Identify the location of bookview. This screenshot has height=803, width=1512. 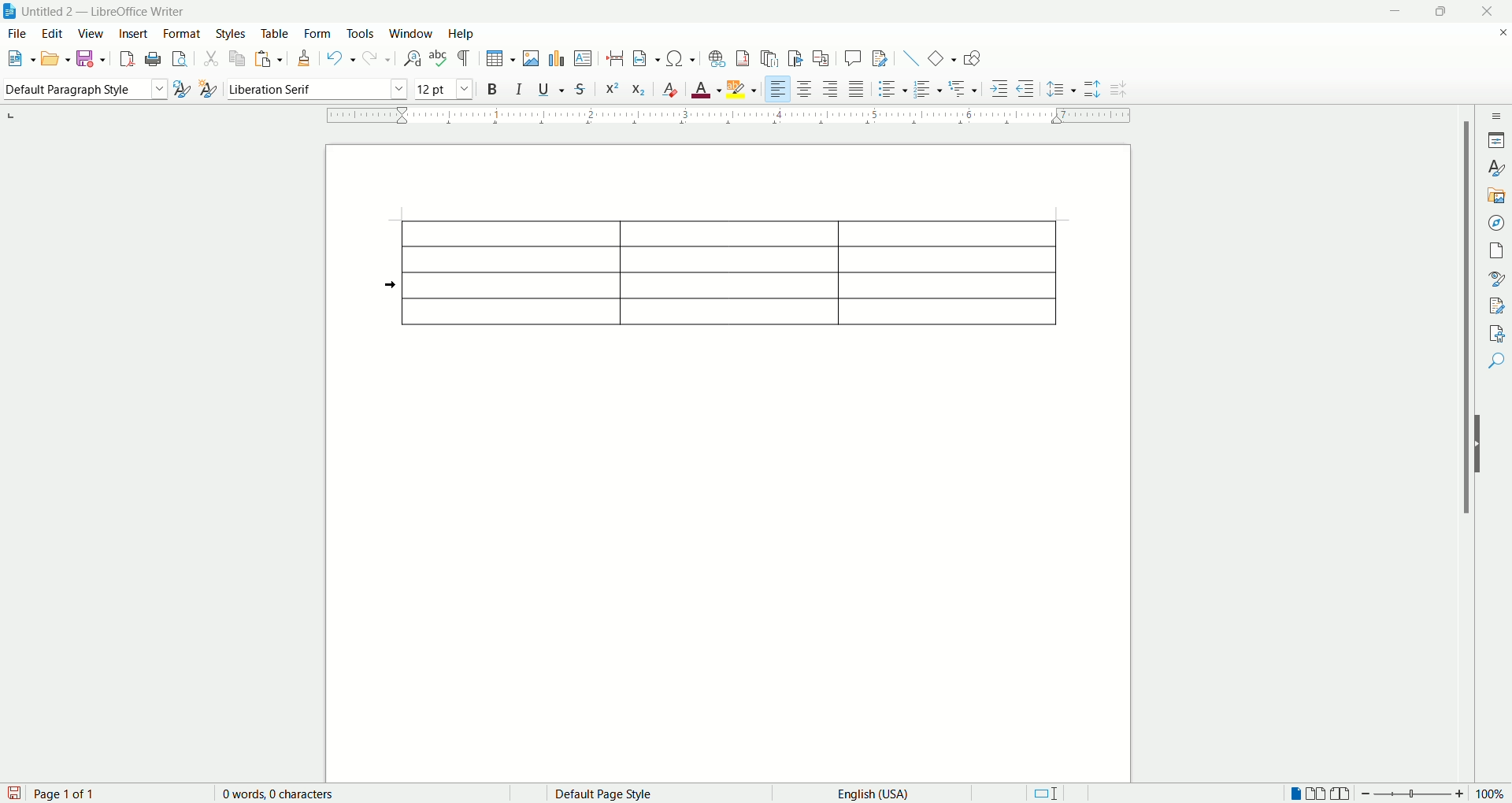
(1341, 794).